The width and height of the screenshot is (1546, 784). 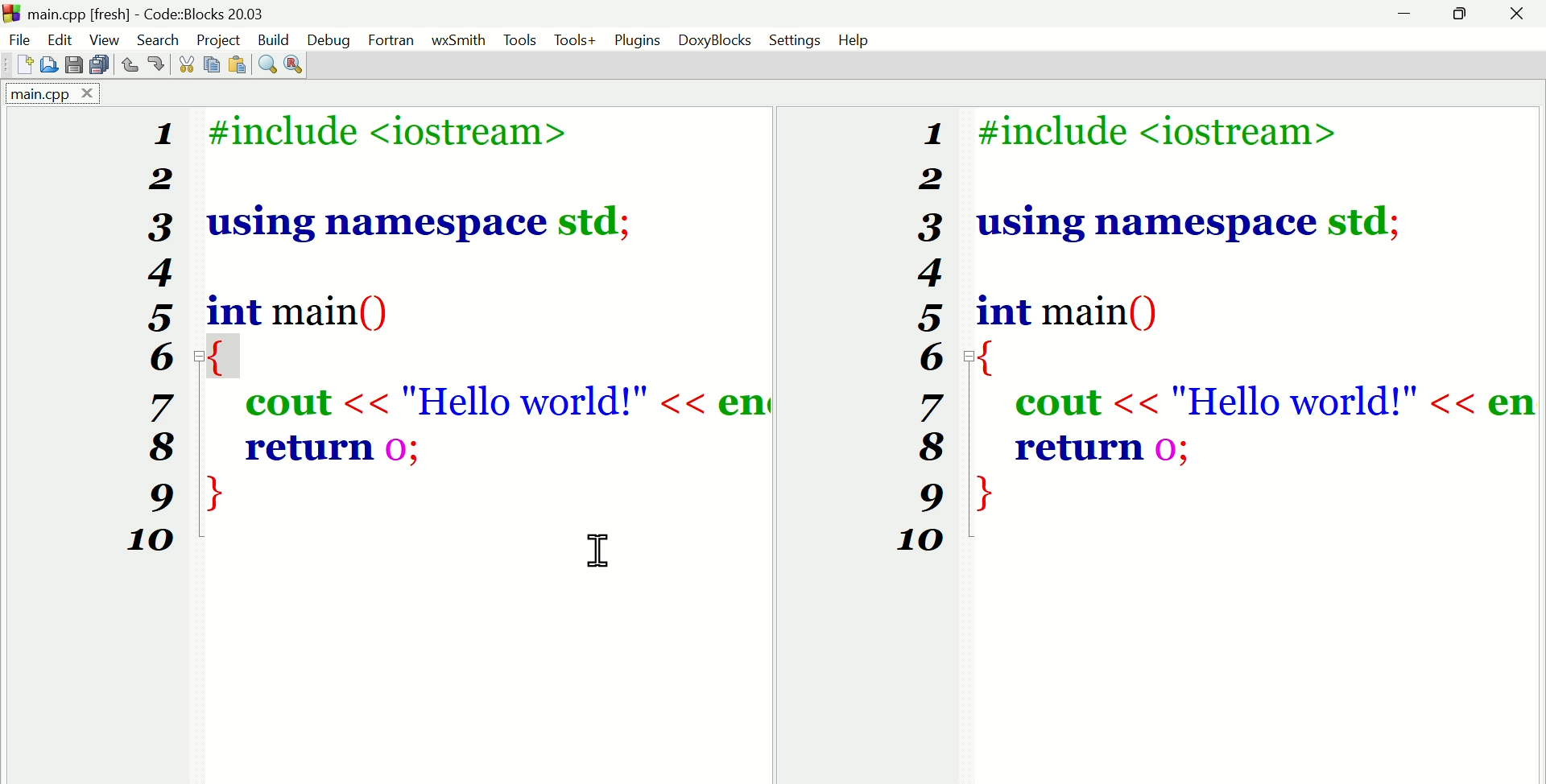 I want to click on Redo, so click(x=159, y=66).